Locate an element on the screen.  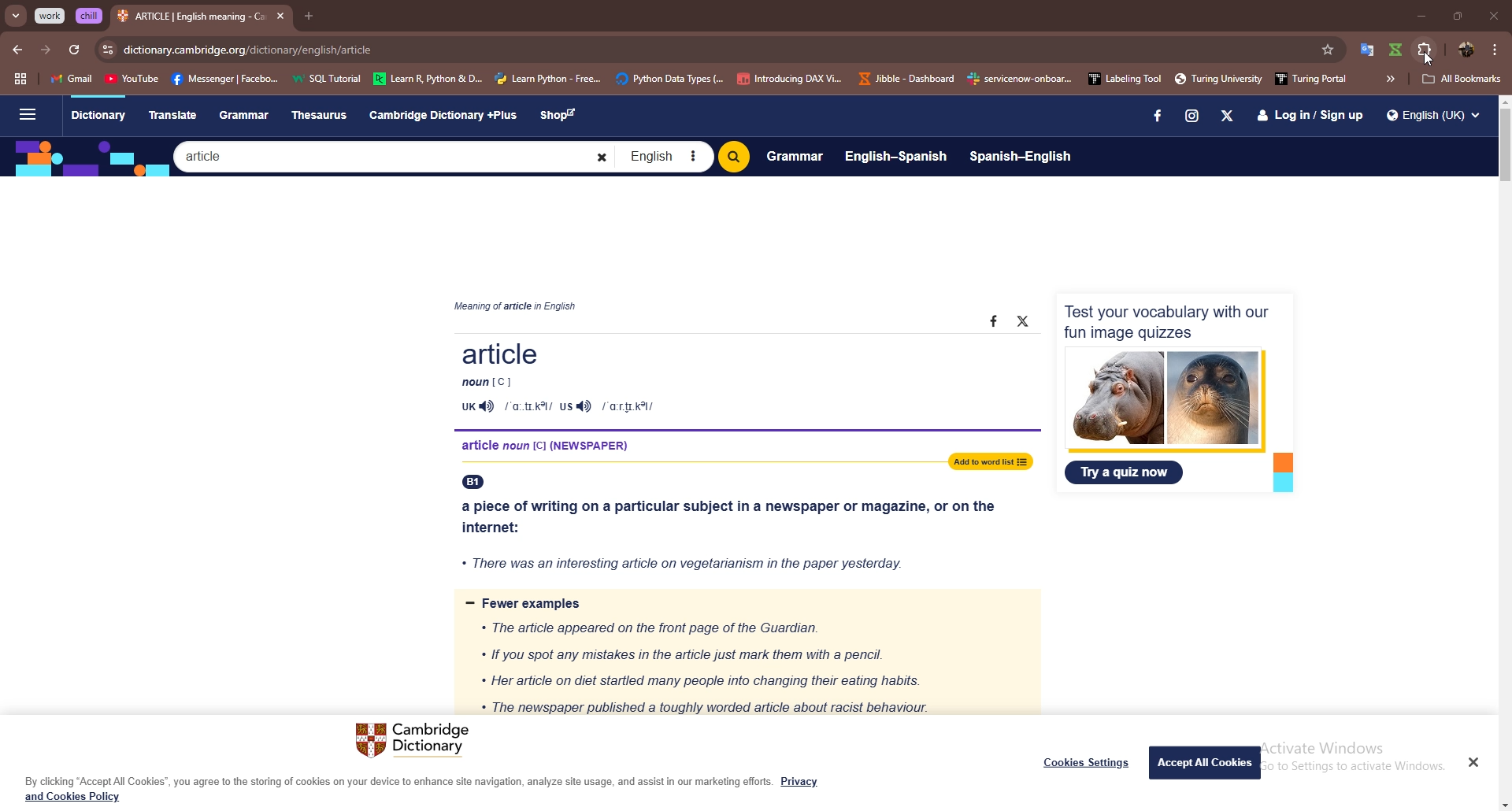
By clicking “Accept All Cookies”, you agree to the storing of cookies on your device to enhance site navigation, analyze site usage, and assist in our marketing efforts. Privacy
and Cookies Policy is located at coordinates (422, 789).